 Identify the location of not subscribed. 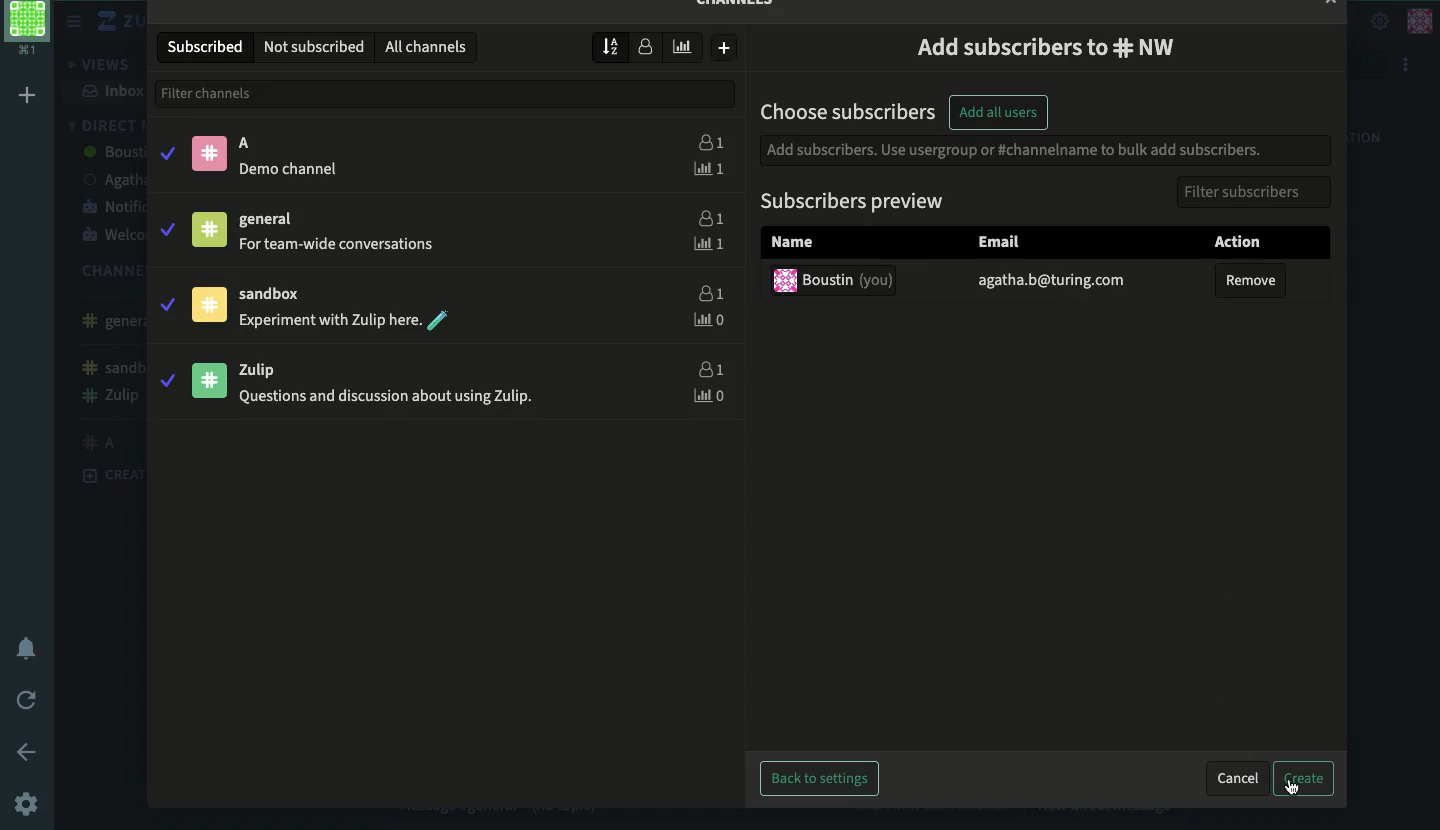
(317, 47).